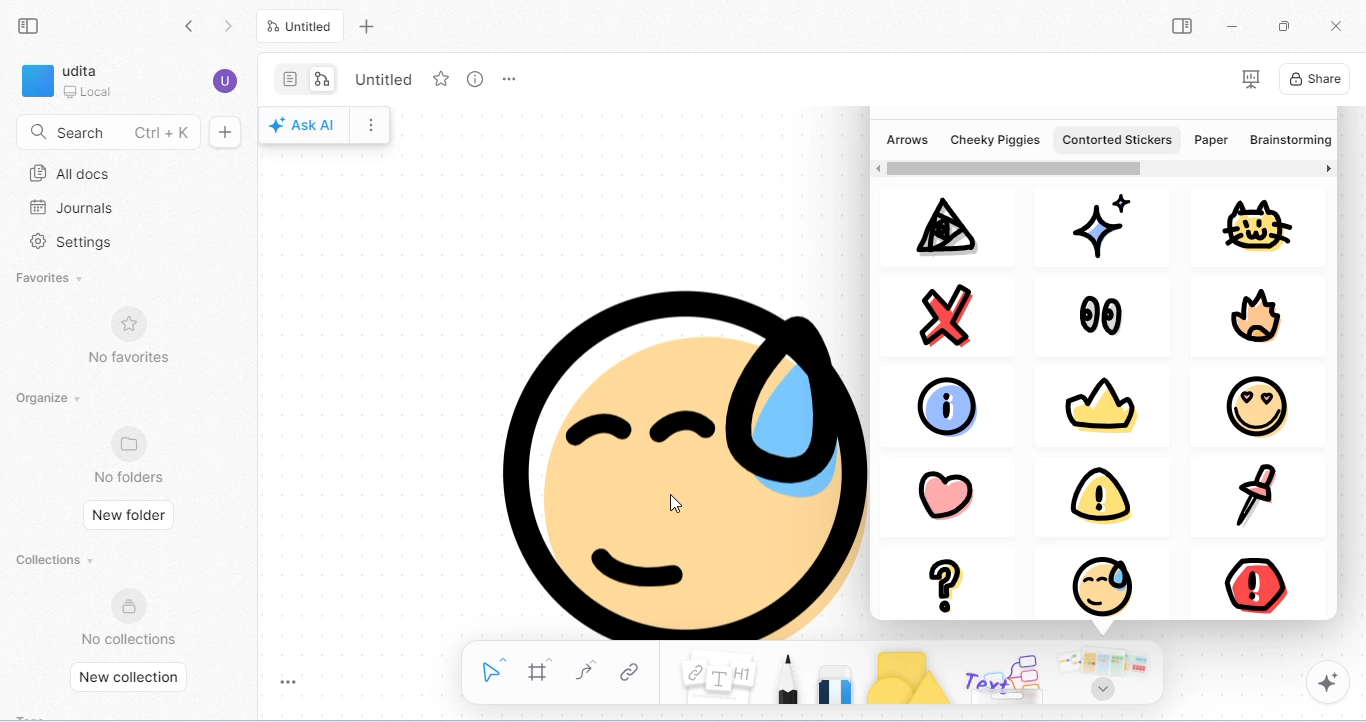  Describe the element at coordinates (52, 399) in the screenshot. I see `organize` at that location.